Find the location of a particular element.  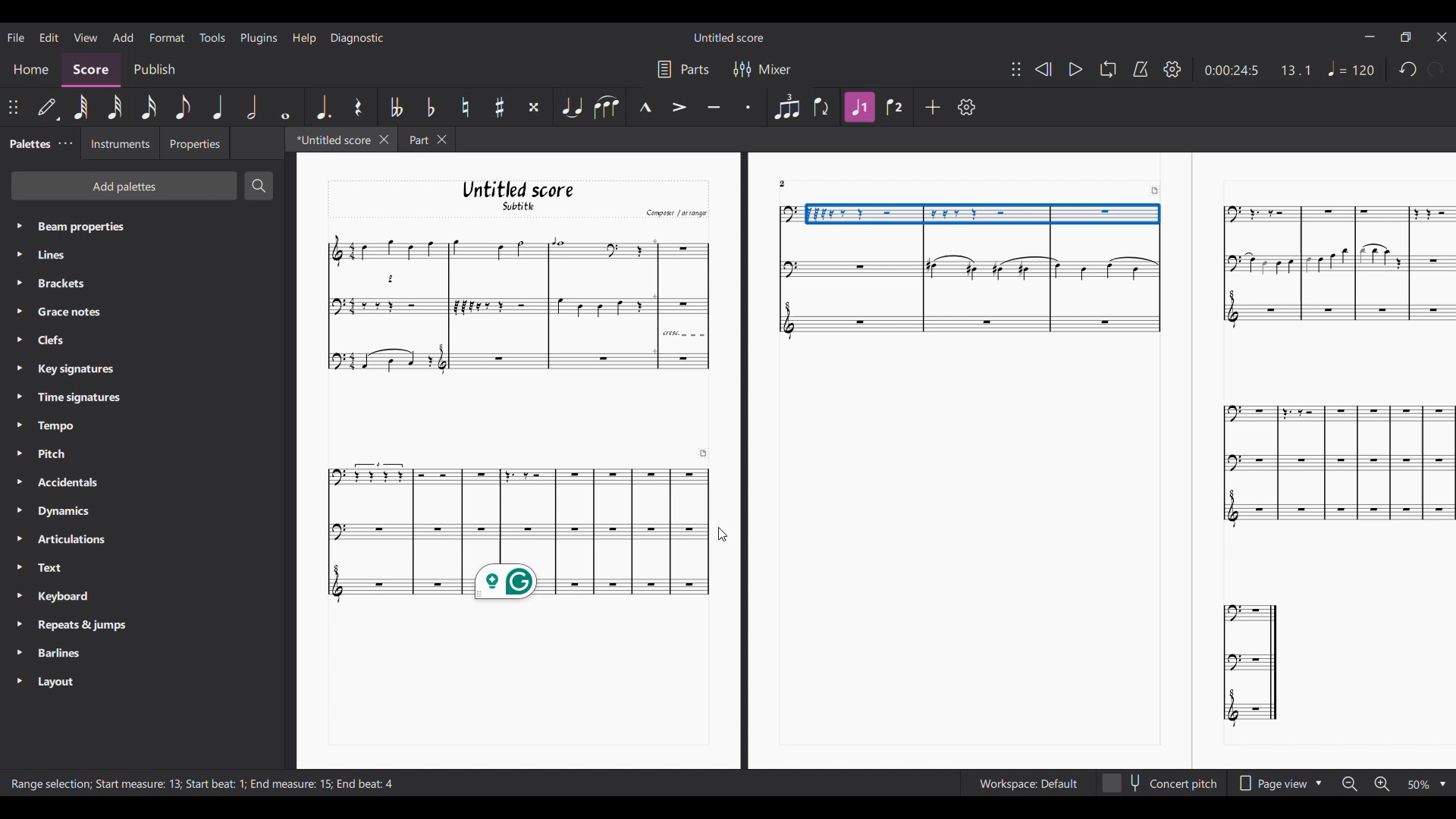

Voice 2 is located at coordinates (895, 107).